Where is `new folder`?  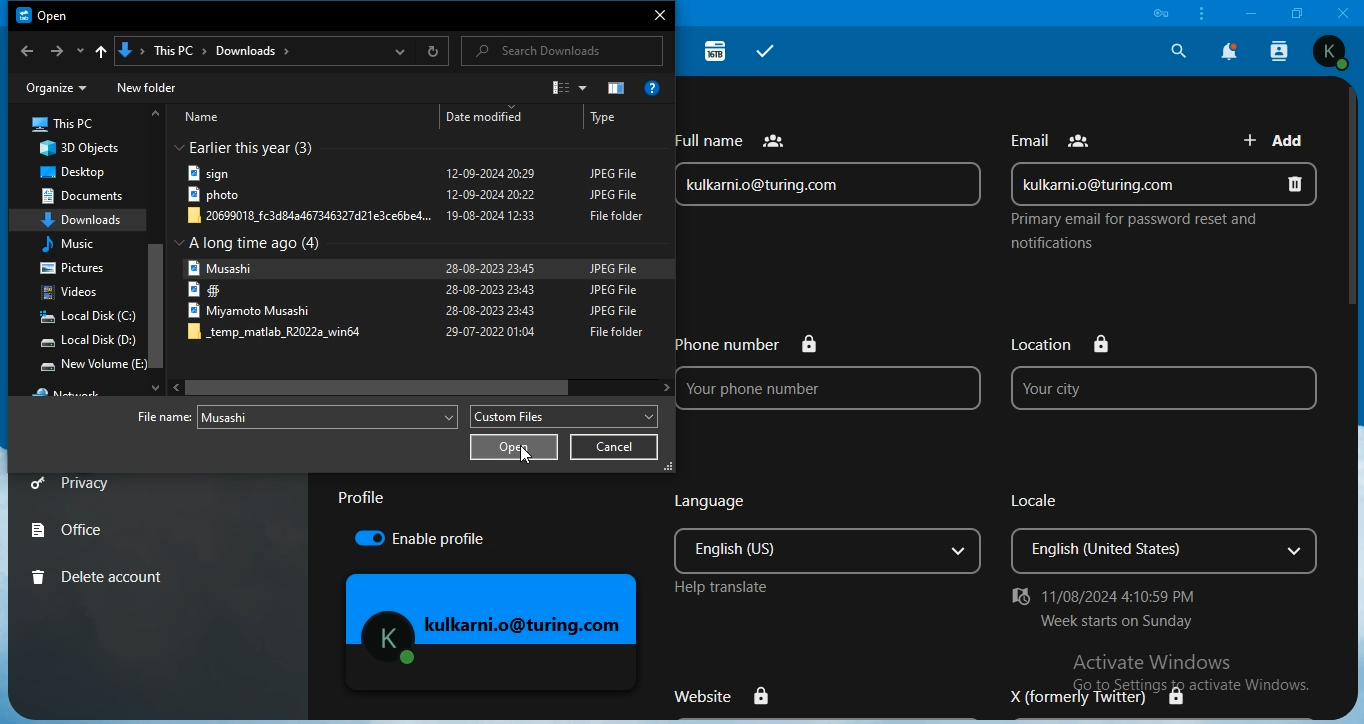
new folder is located at coordinates (147, 85).